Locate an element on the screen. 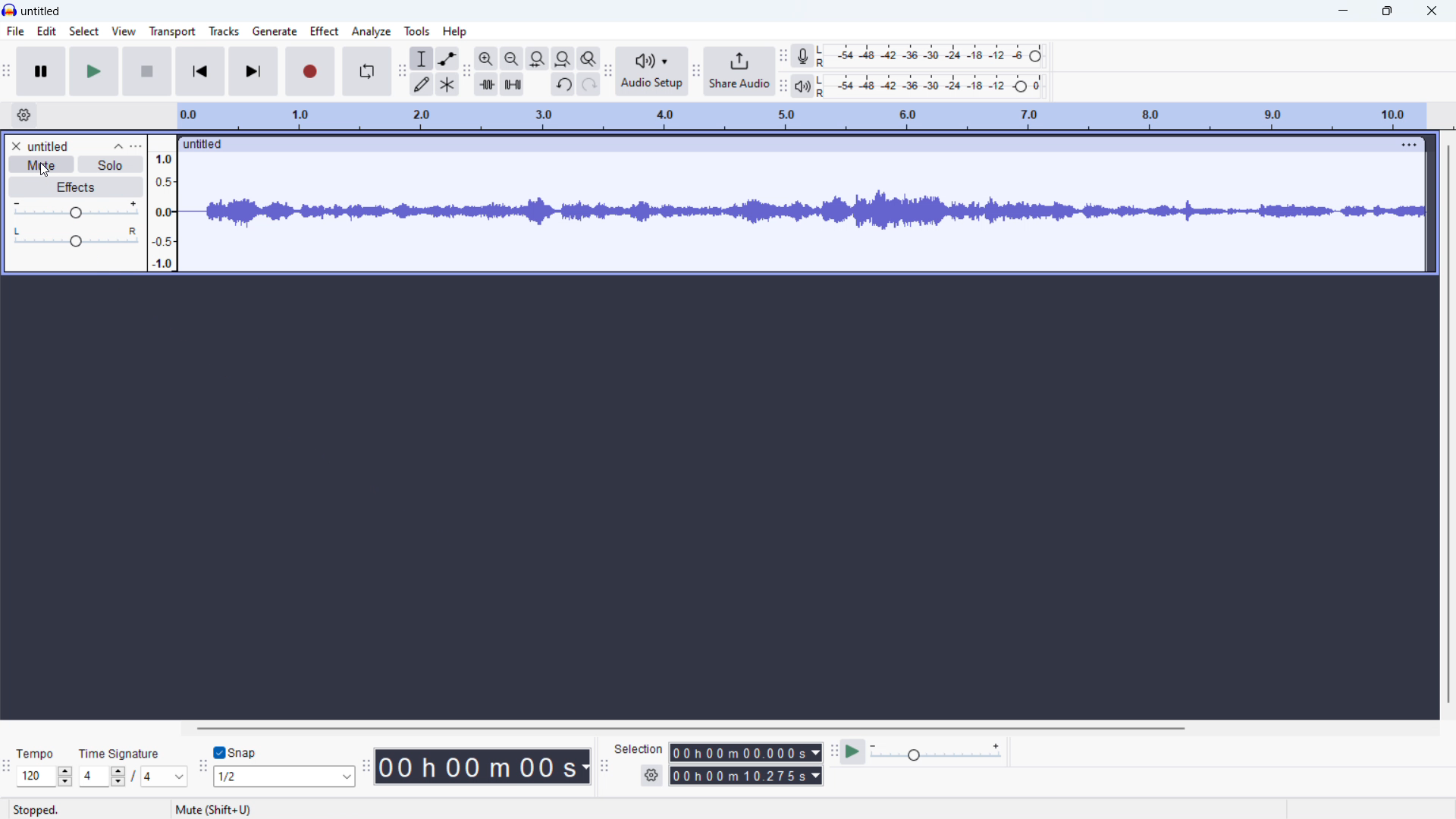 Image resolution: width=1456 pixels, height=819 pixels. transport toolbar is located at coordinates (6, 74).